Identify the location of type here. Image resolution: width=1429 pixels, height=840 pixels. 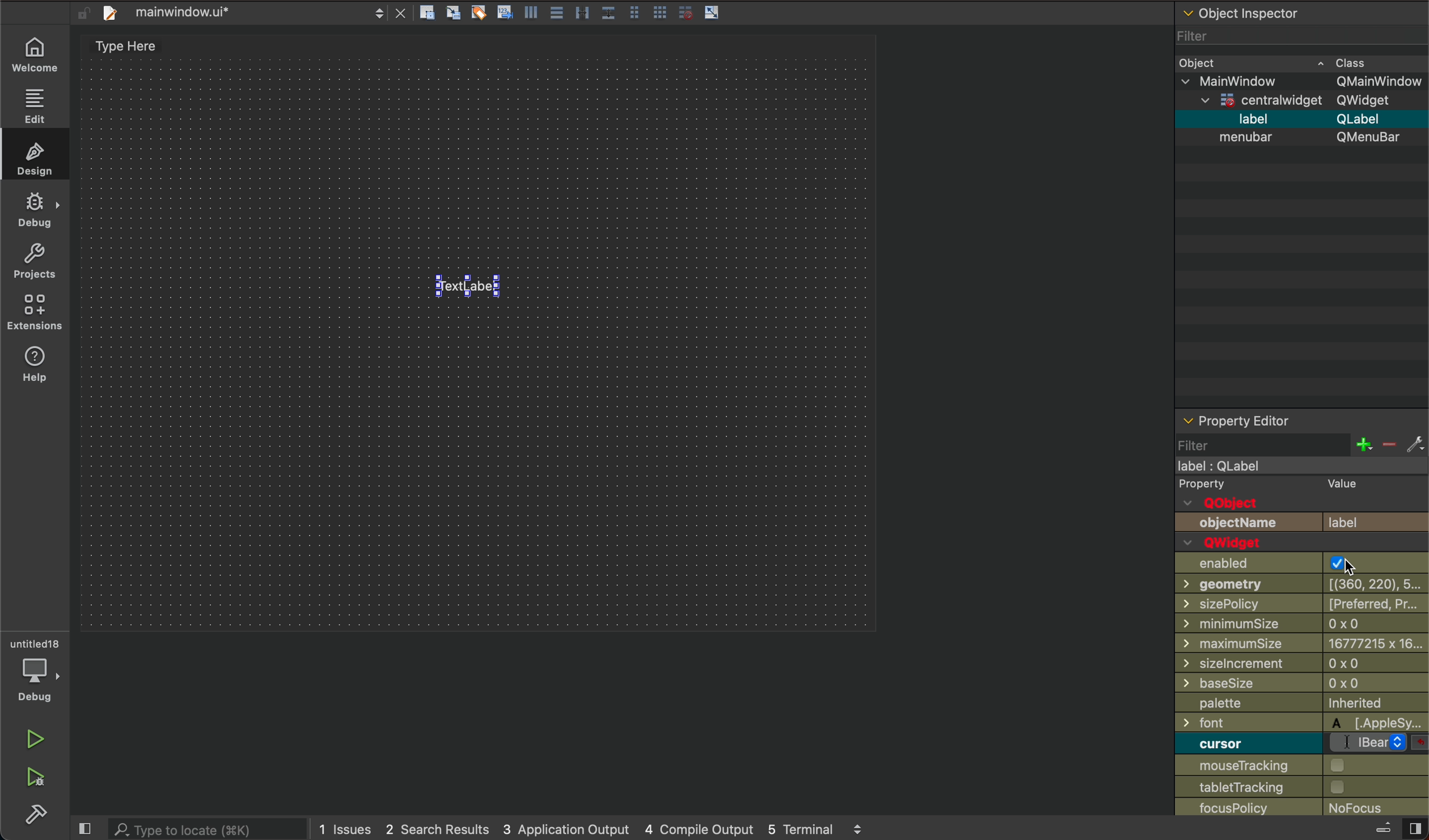
(138, 52).